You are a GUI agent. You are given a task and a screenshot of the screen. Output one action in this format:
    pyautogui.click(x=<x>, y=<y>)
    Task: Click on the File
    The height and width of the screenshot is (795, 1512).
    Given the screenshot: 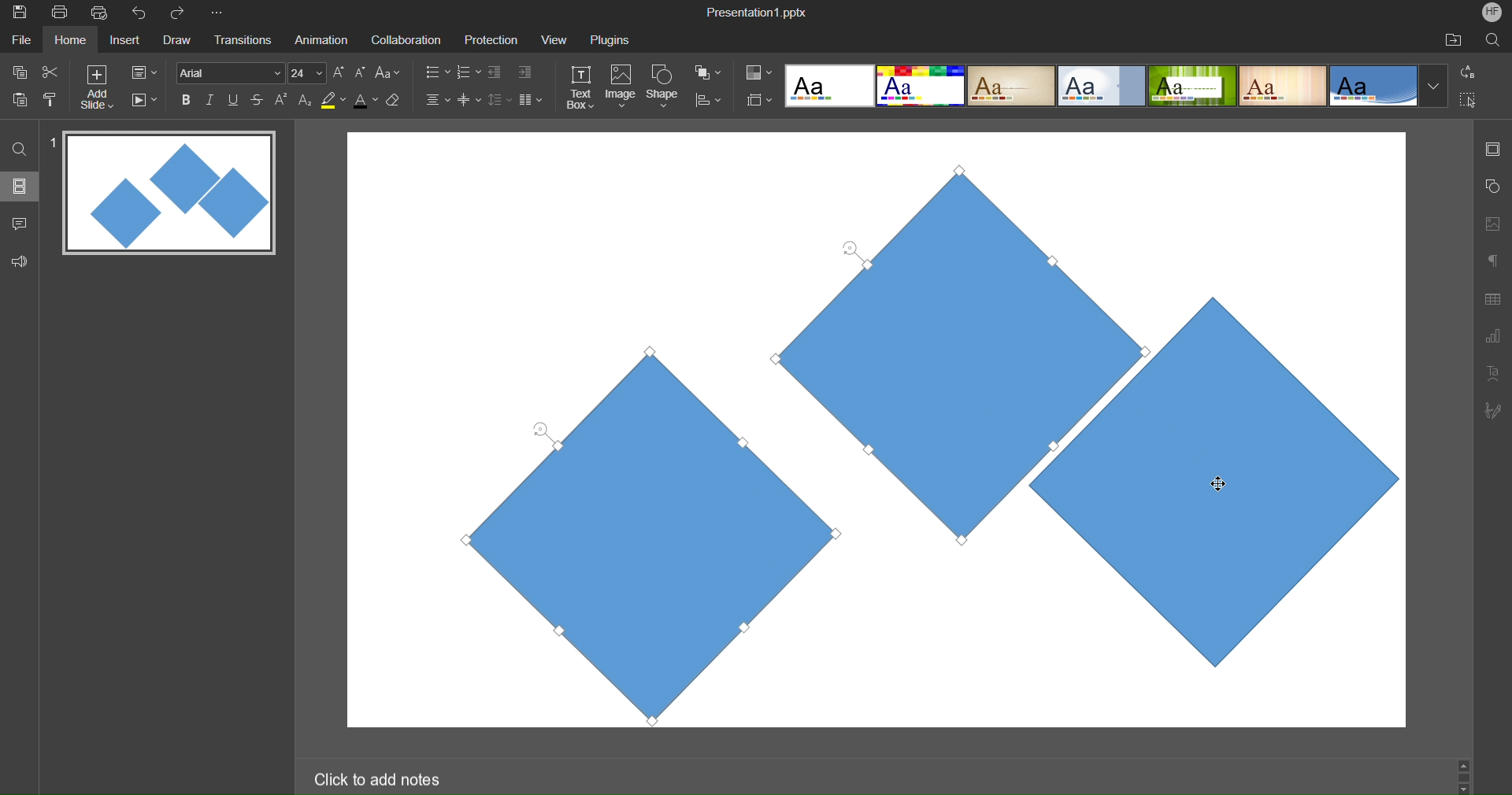 What is the action you would take?
    pyautogui.click(x=24, y=39)
    